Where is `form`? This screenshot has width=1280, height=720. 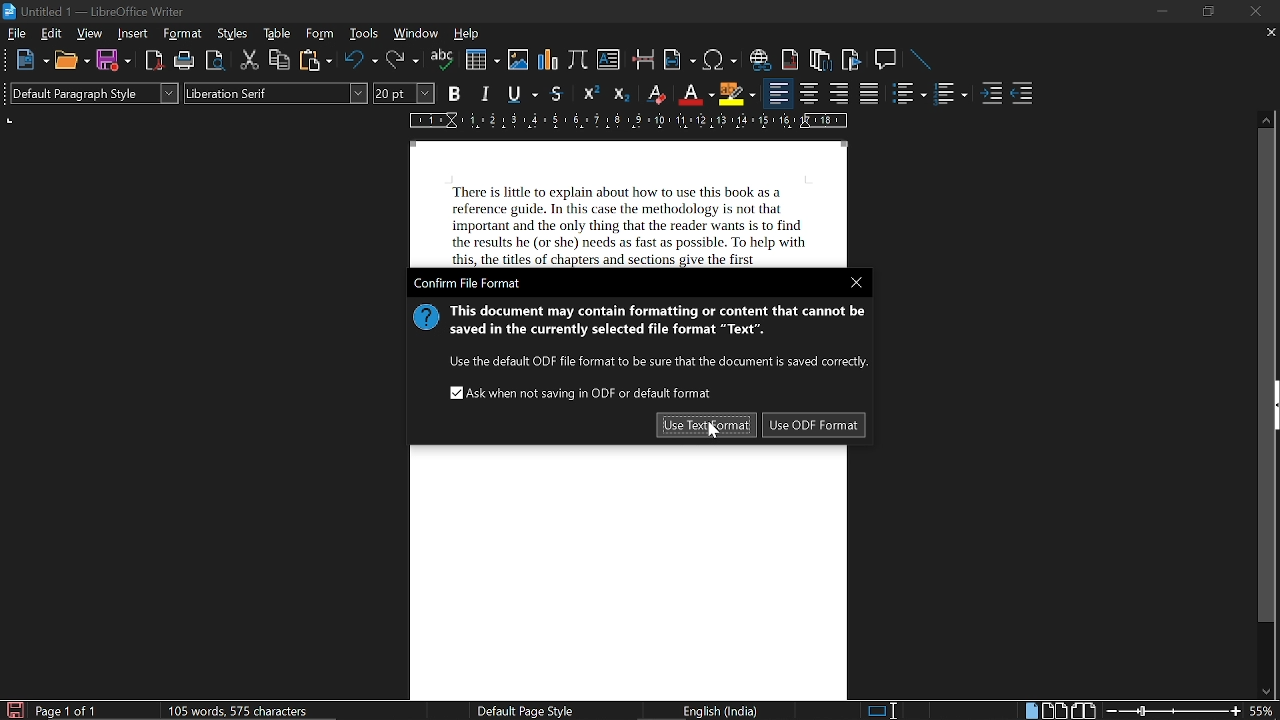 form is located at coordinates (321, 33).